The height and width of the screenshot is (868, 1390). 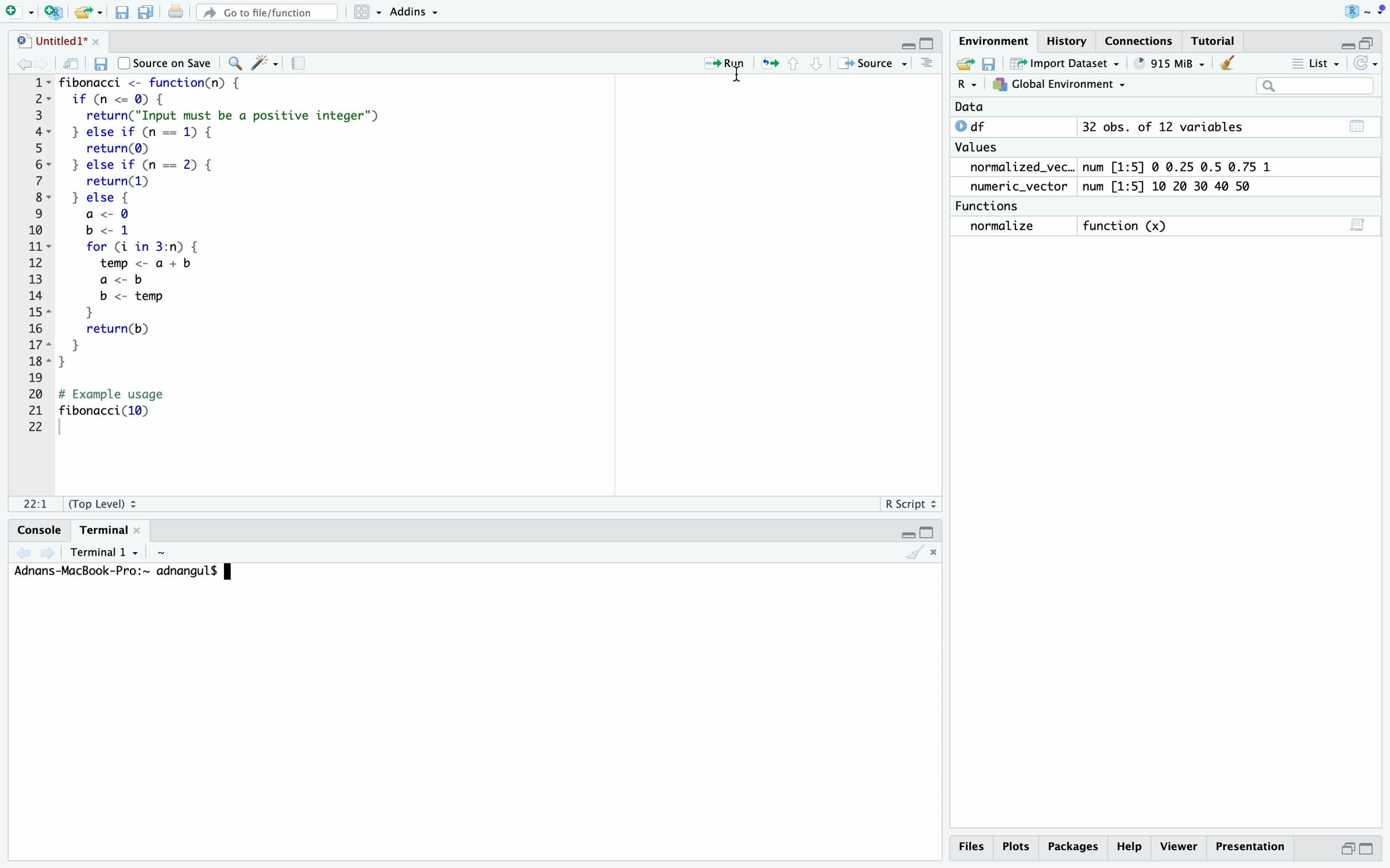 What do you see at coordinates (159, 305) in the screenshot?
I see `for loop` at bounding box center [159, 305].